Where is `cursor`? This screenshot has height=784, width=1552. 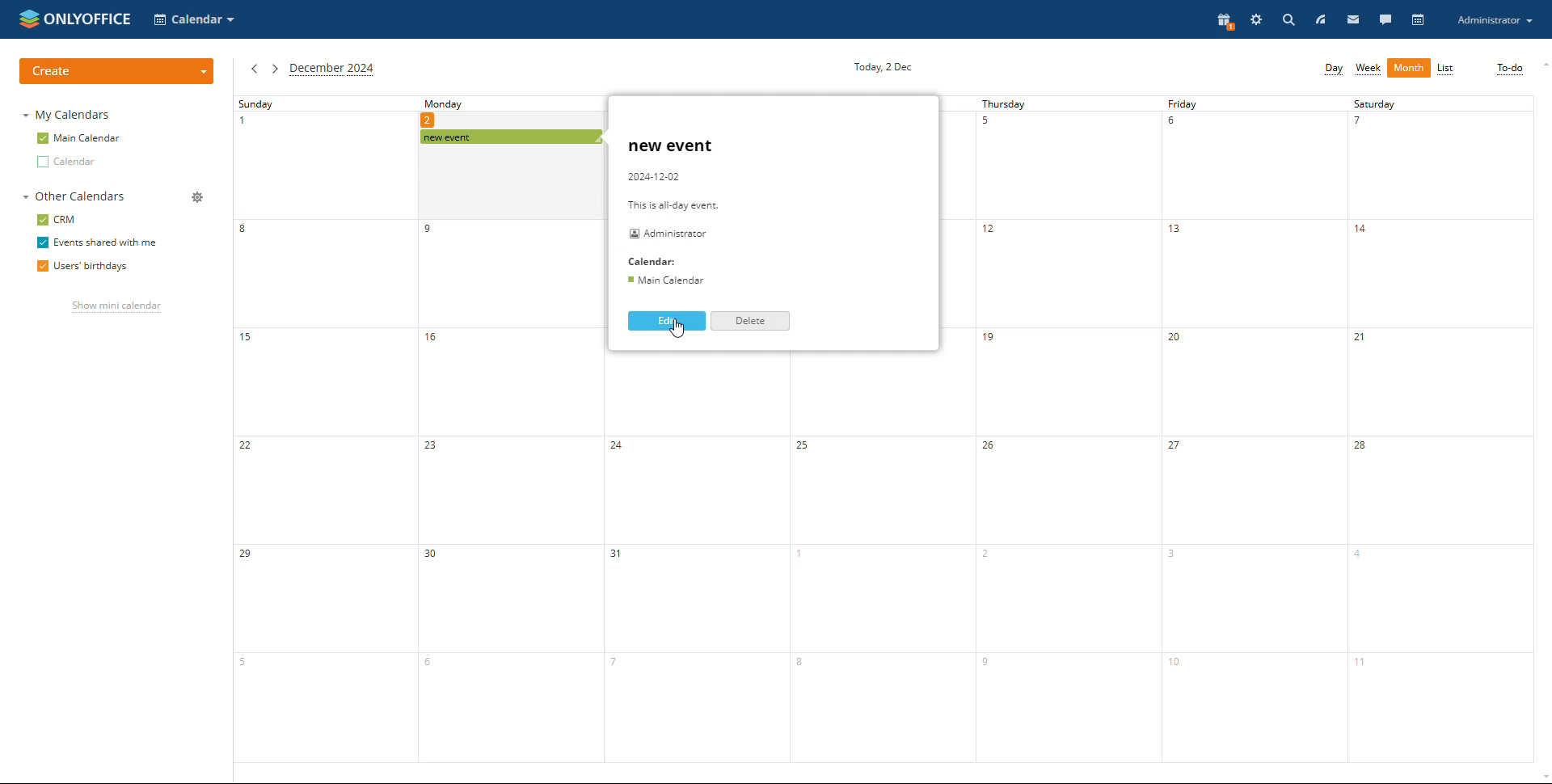
cursor is located at coordinates (677, 331).